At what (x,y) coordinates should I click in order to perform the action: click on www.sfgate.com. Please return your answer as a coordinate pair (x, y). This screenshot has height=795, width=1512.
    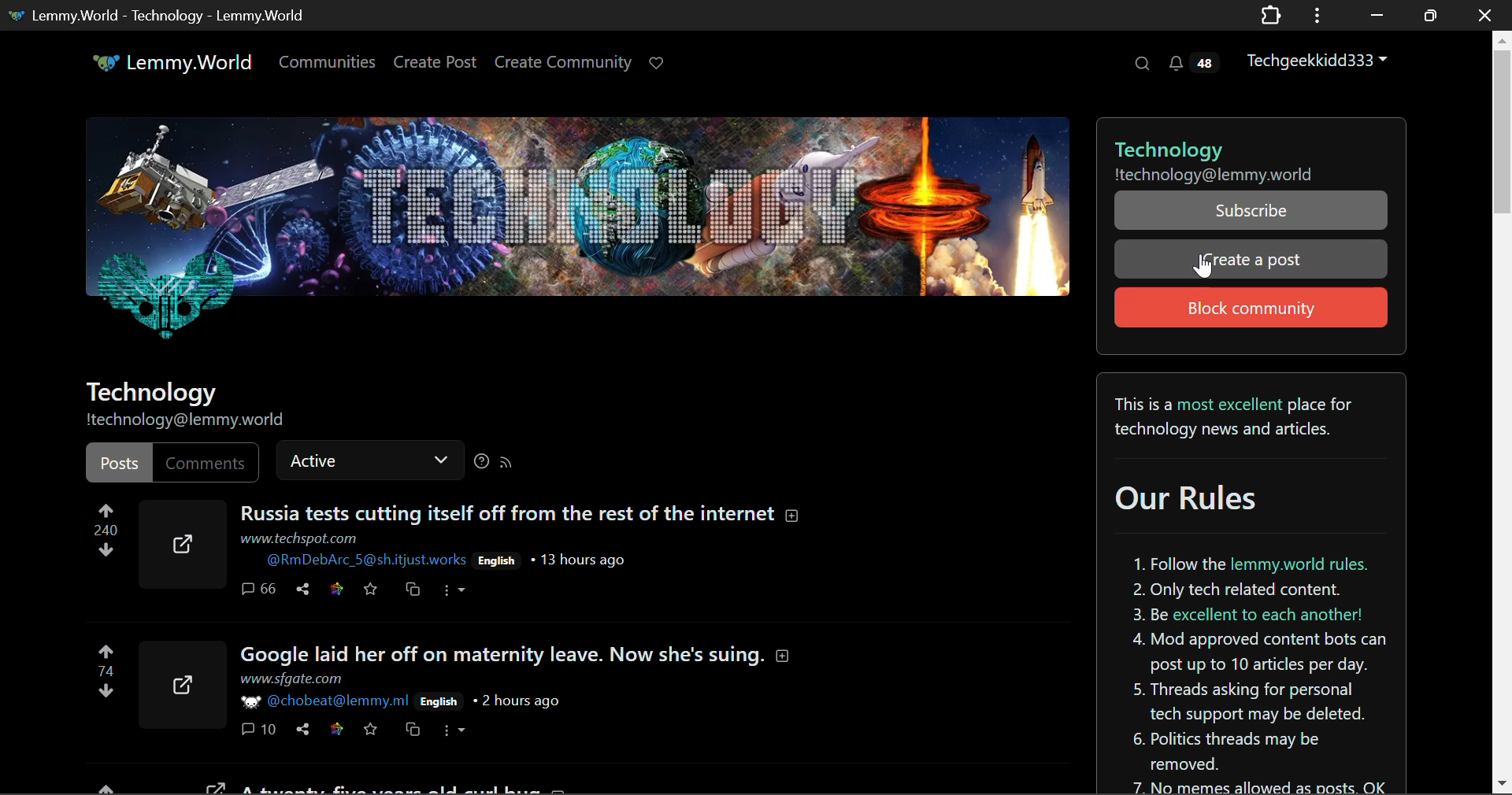
    Looking at the image, I should click on (291, 679).